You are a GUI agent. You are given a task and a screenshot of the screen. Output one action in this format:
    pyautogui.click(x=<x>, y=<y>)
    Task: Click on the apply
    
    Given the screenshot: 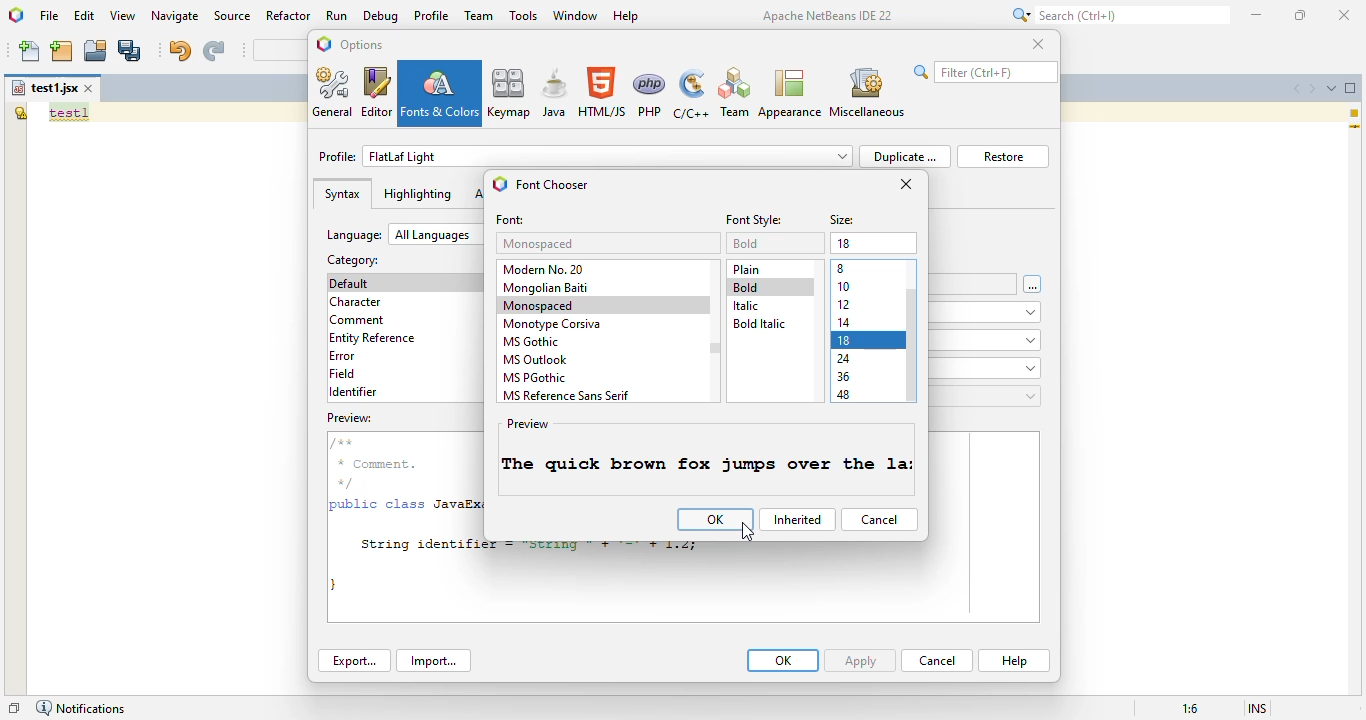 What is the action you would take?
    pyautogui.click(x=862, y=660)
    